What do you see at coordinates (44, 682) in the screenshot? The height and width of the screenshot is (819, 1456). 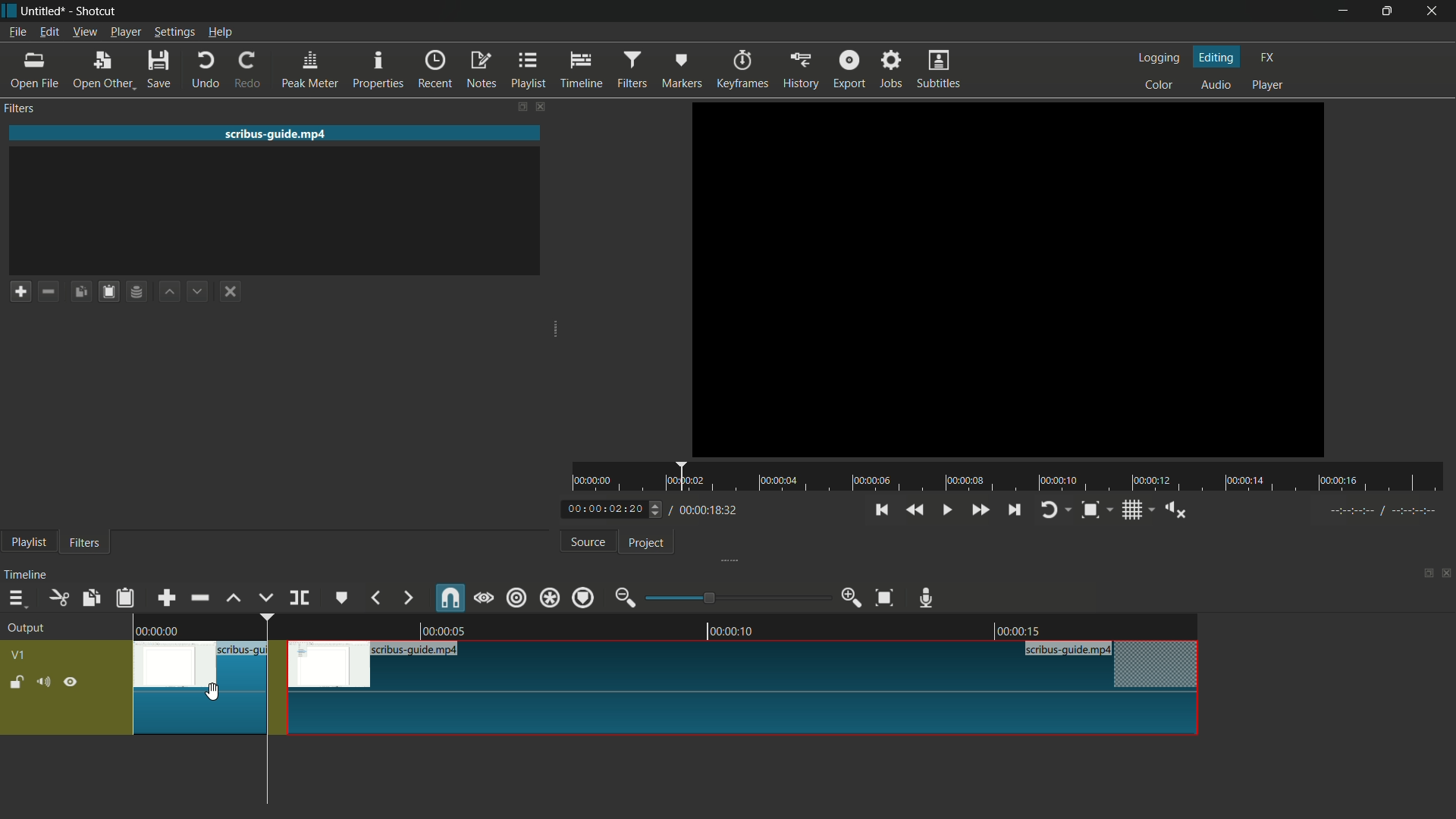 I see `mute` at bounding box center [44, 682].